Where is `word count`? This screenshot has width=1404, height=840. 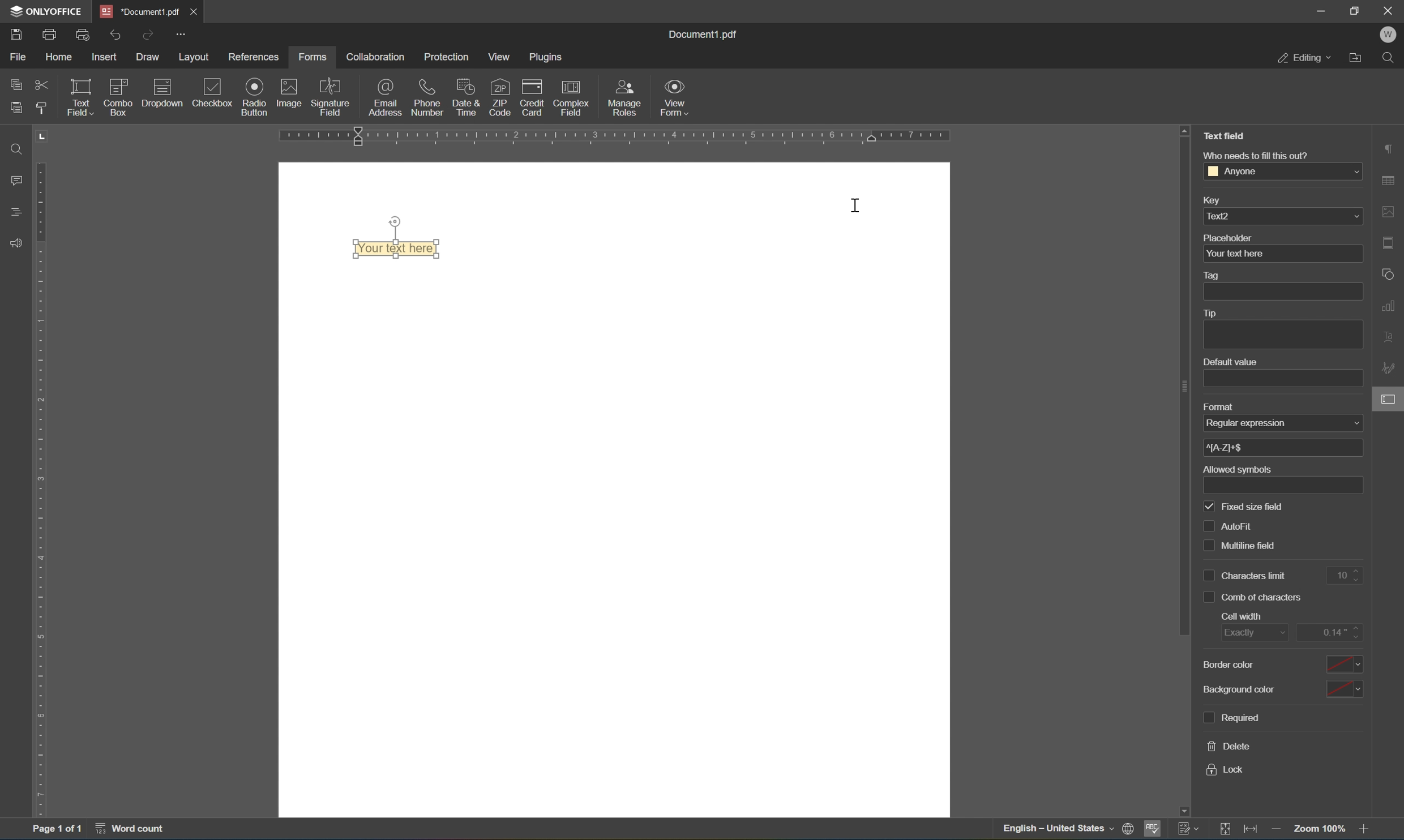
word count is located at coordinates (134, 830).